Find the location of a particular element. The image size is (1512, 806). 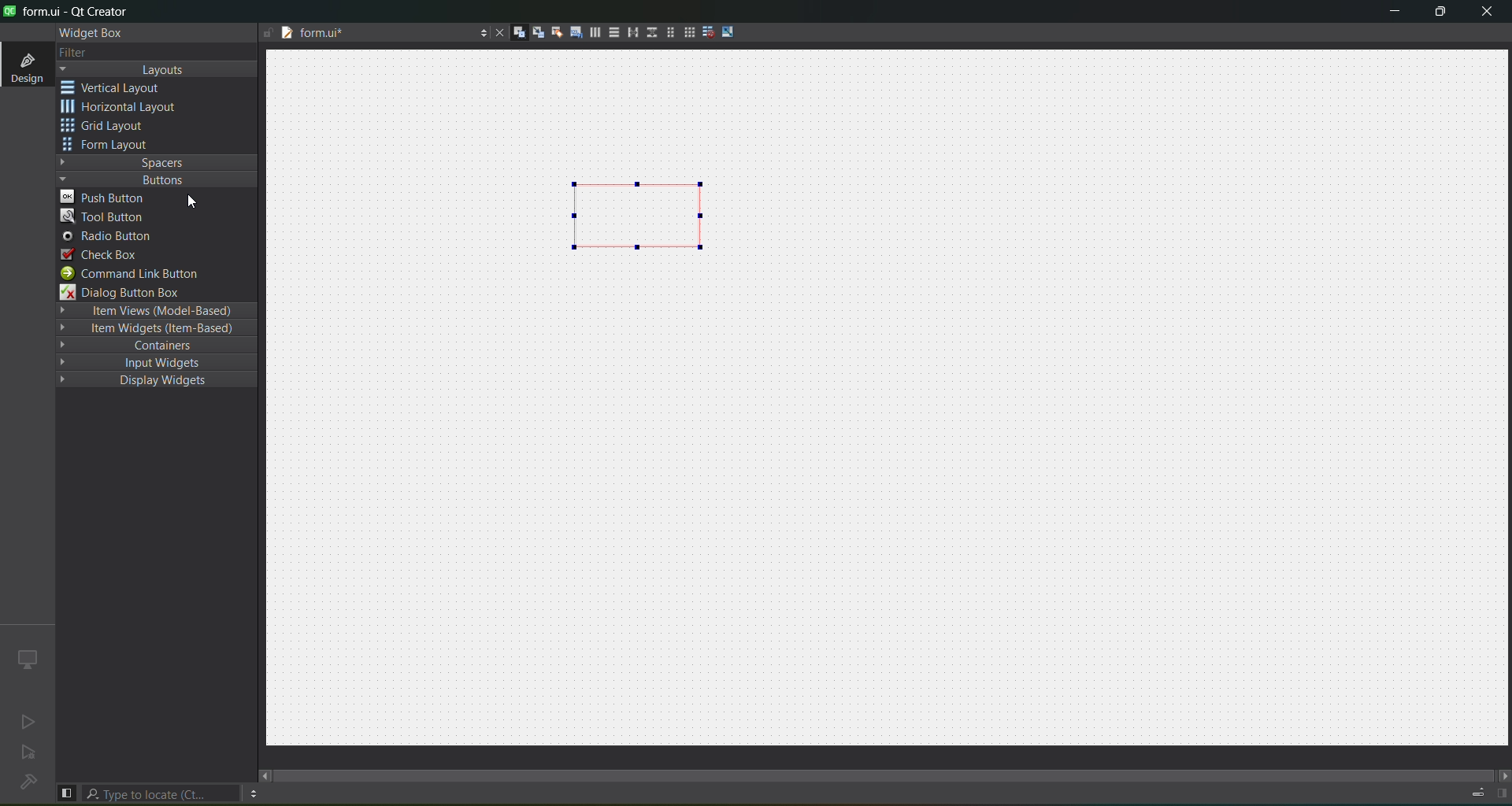

maximize is located at coordinates (1438, 13).